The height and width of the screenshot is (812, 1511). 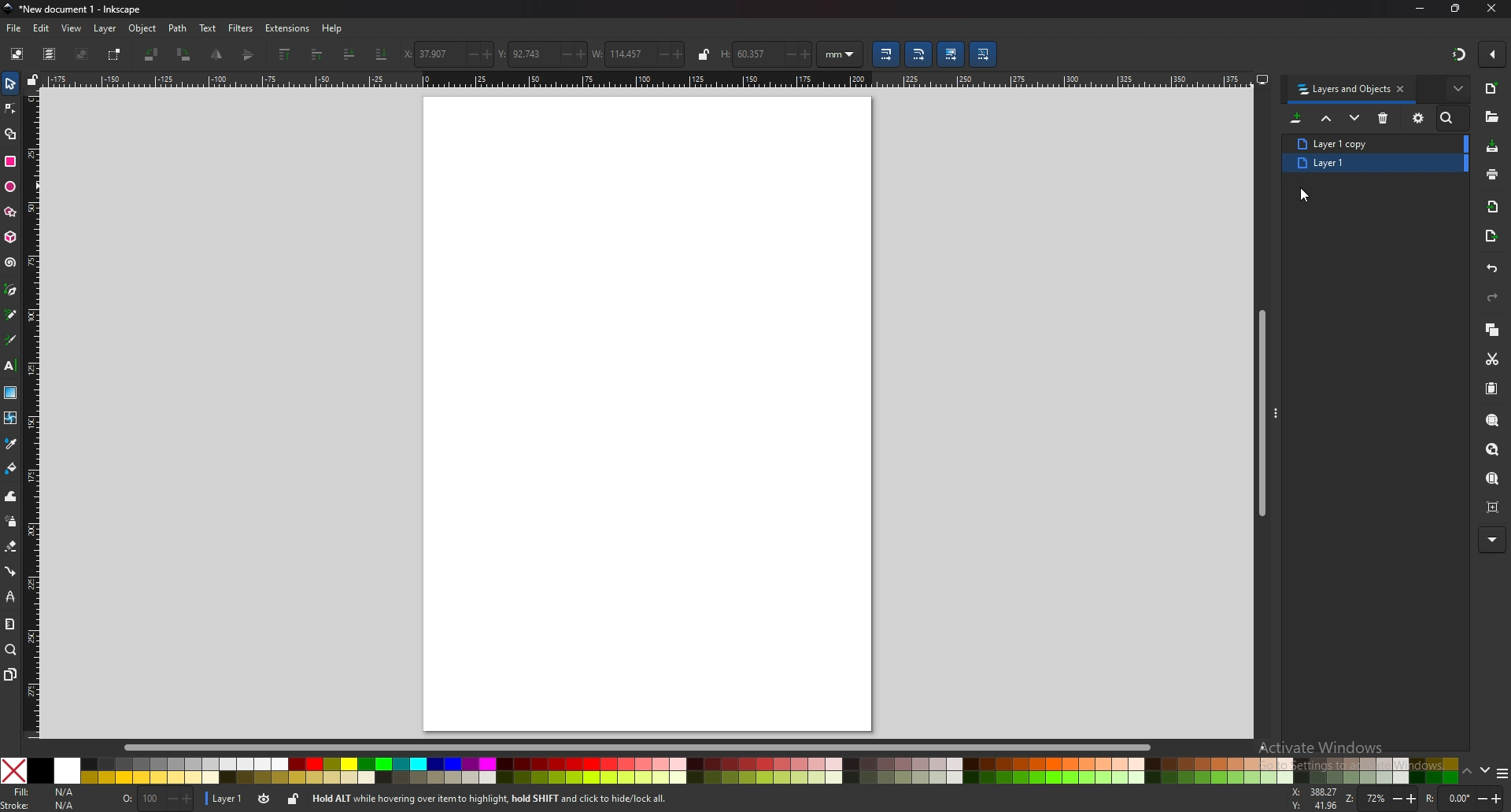 I want to click on path, so click(x=178, y=28).